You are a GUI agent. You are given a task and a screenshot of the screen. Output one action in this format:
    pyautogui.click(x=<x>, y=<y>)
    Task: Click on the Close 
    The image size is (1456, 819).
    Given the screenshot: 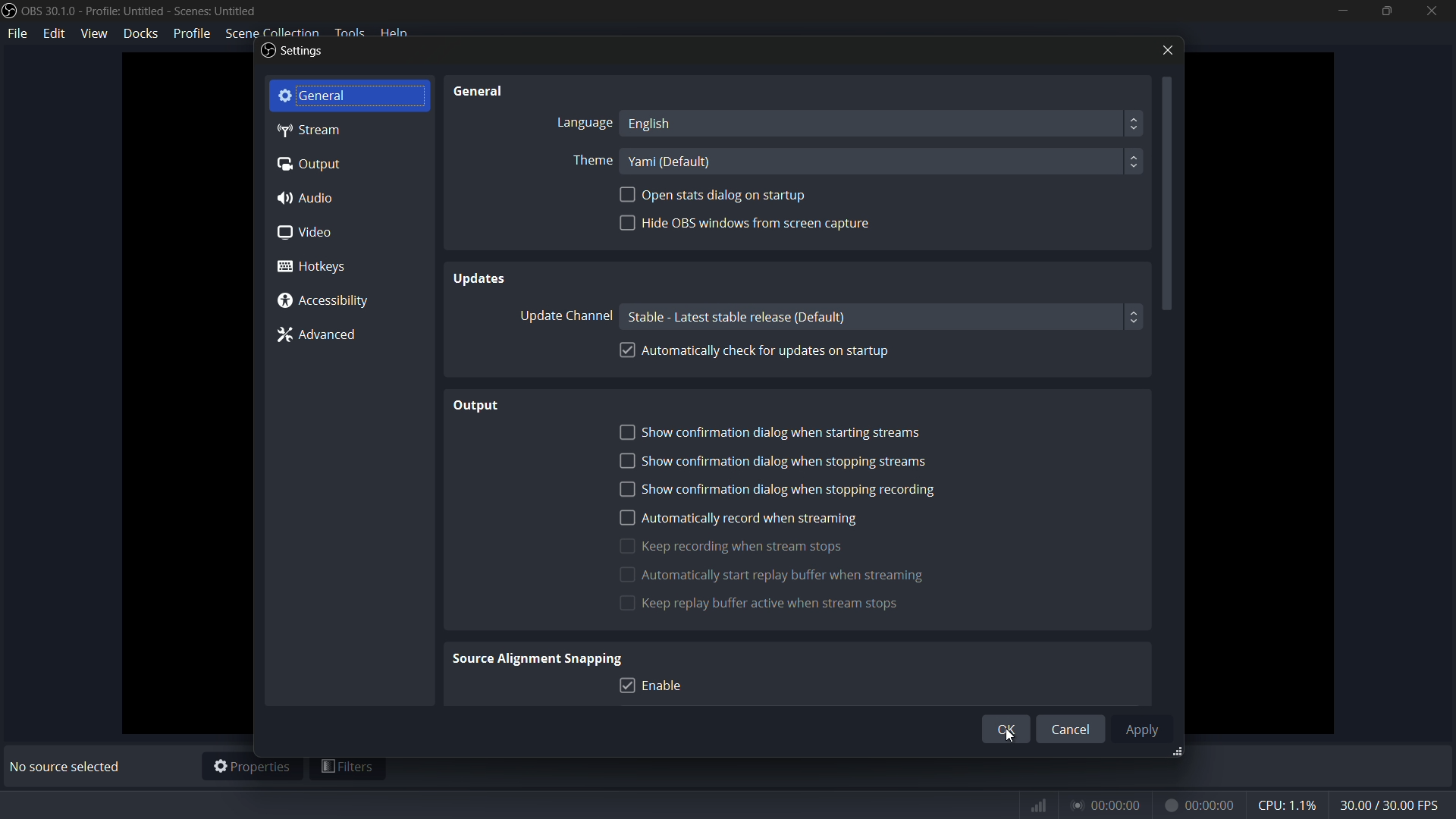 What is the action you would take?
    pyautogui.click(x=1160, y=49)
    